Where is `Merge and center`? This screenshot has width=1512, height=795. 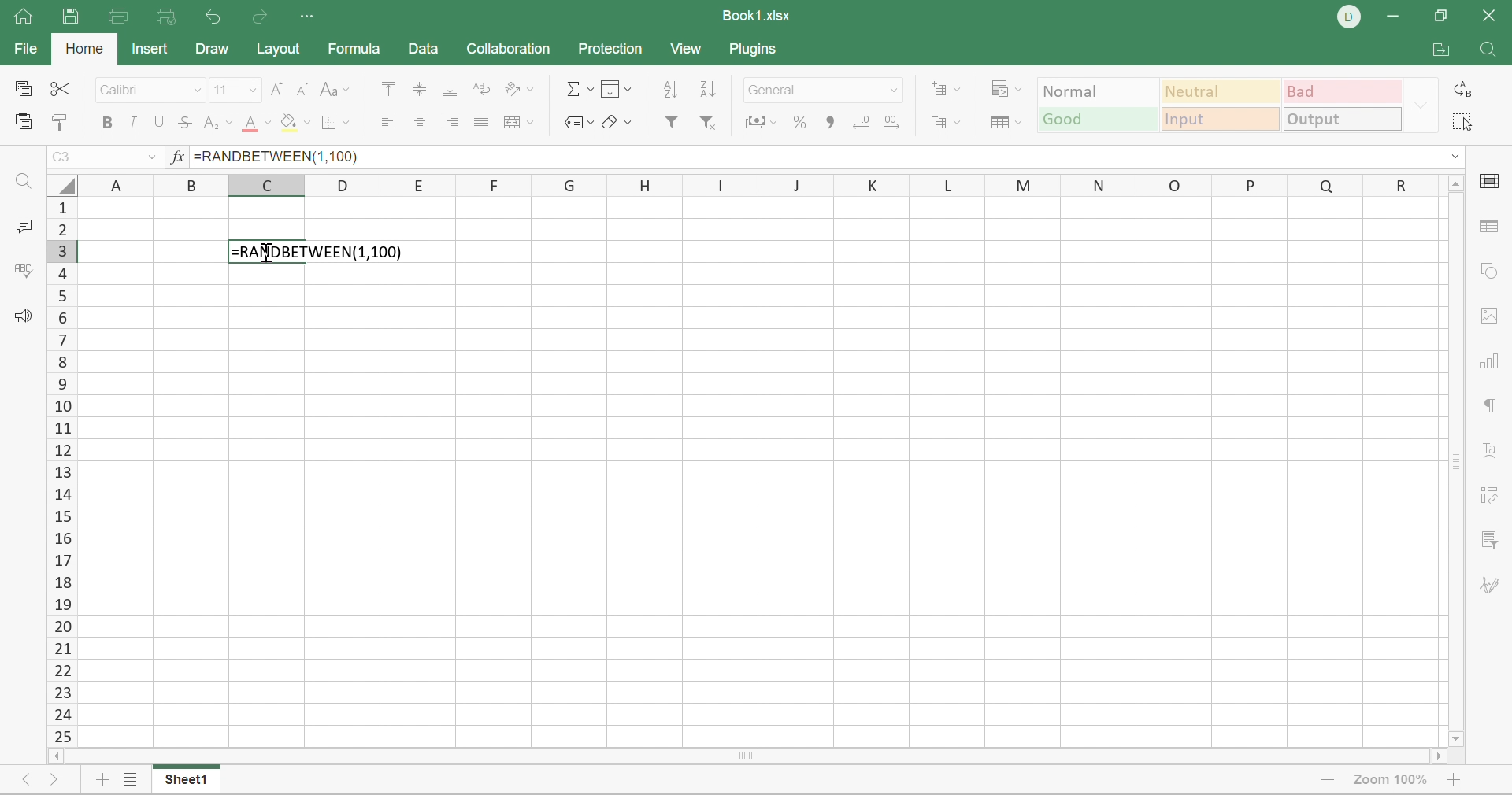
Merge and center is located at coordinates (521, 122).